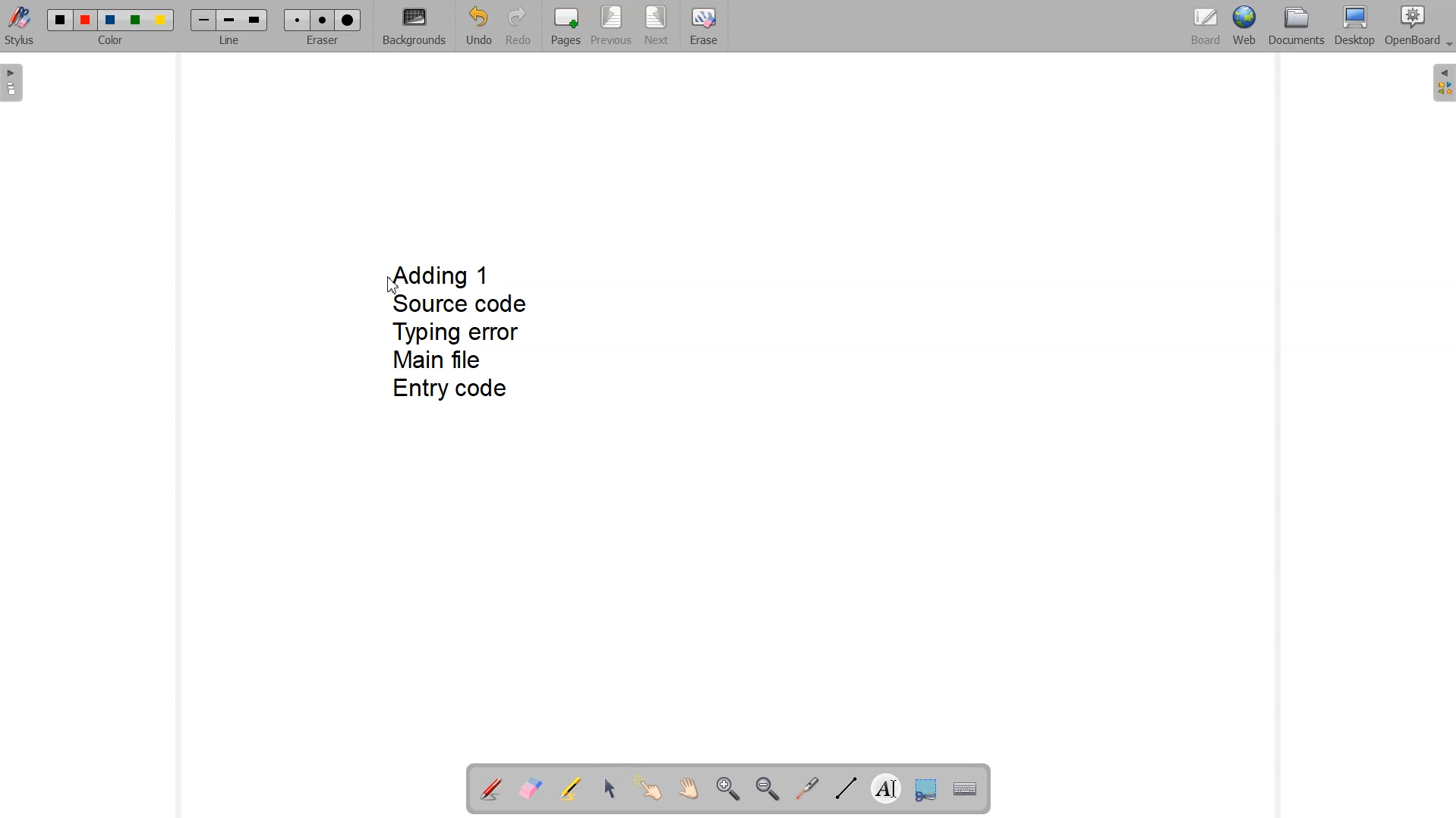 Image resolution: width=1456 pixels, height=818 pixels. What do you see at coordinates (1442, 83) in the screenshot?
I see `The library (right panel)` at bounding box center [1442, 83].